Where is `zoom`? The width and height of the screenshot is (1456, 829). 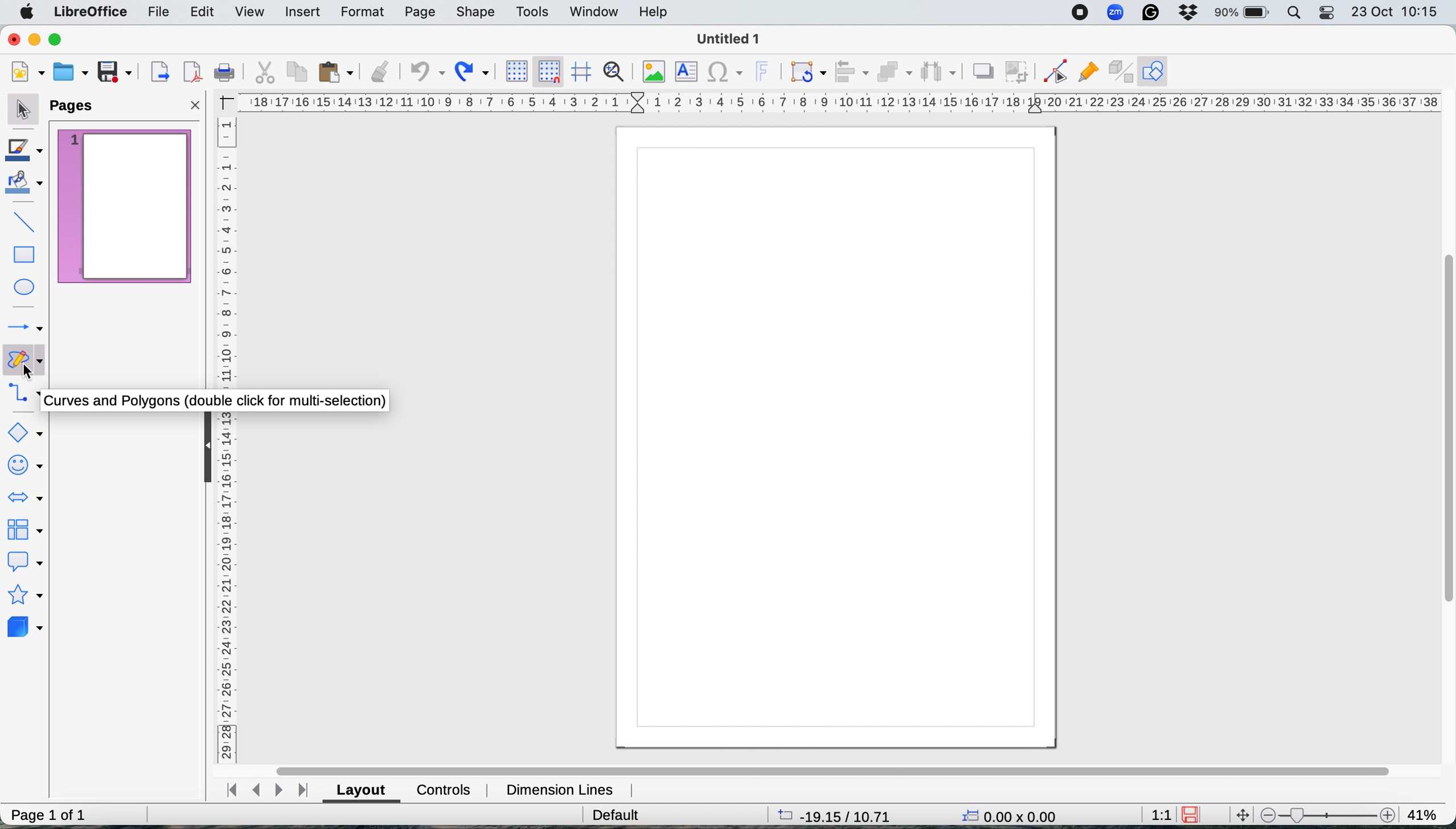 zoom is located at coordinates (1115, 14).